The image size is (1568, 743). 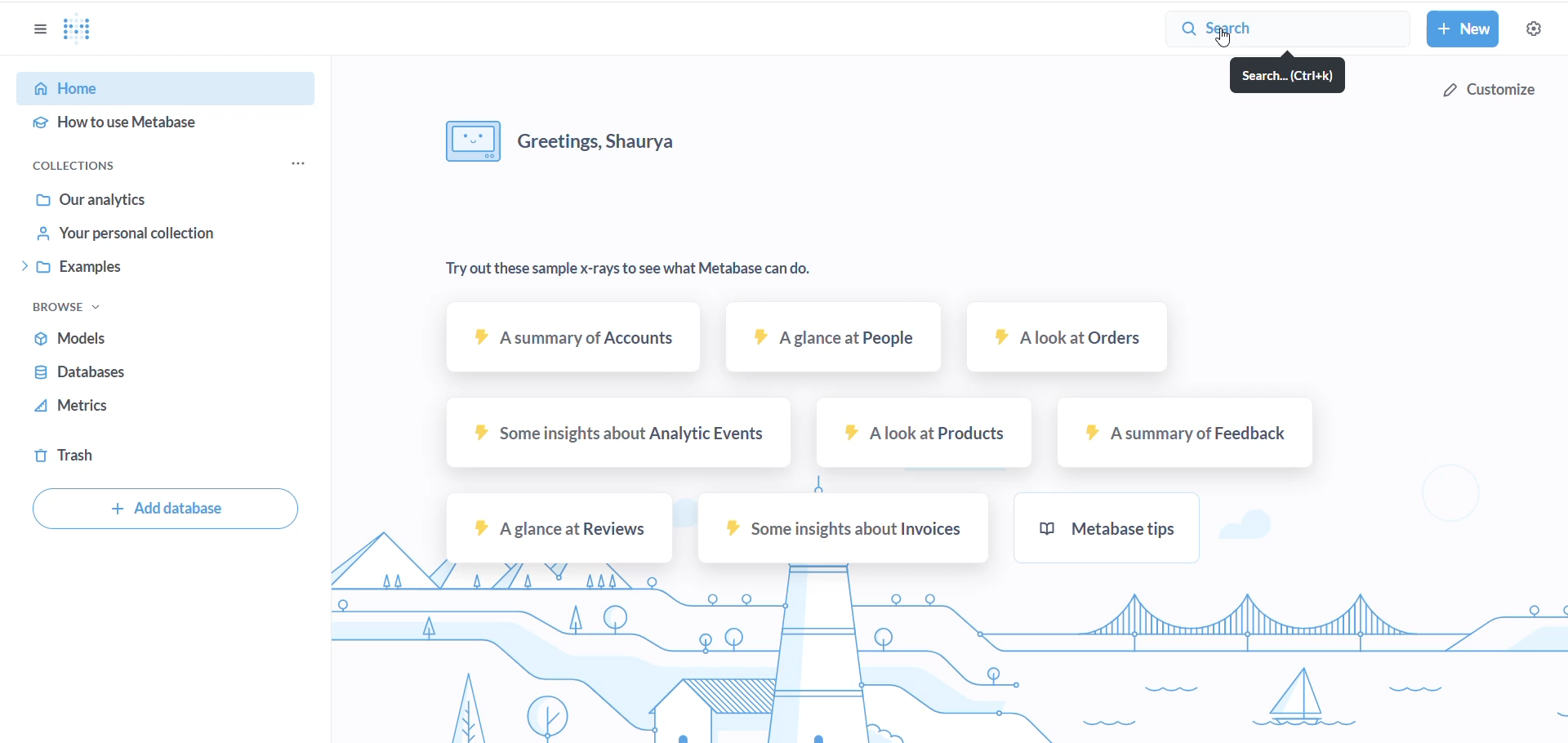 What do you see at coordinates (1486, 87) in the screenshot?
I see `customize` at bounding box center [1486, 87].